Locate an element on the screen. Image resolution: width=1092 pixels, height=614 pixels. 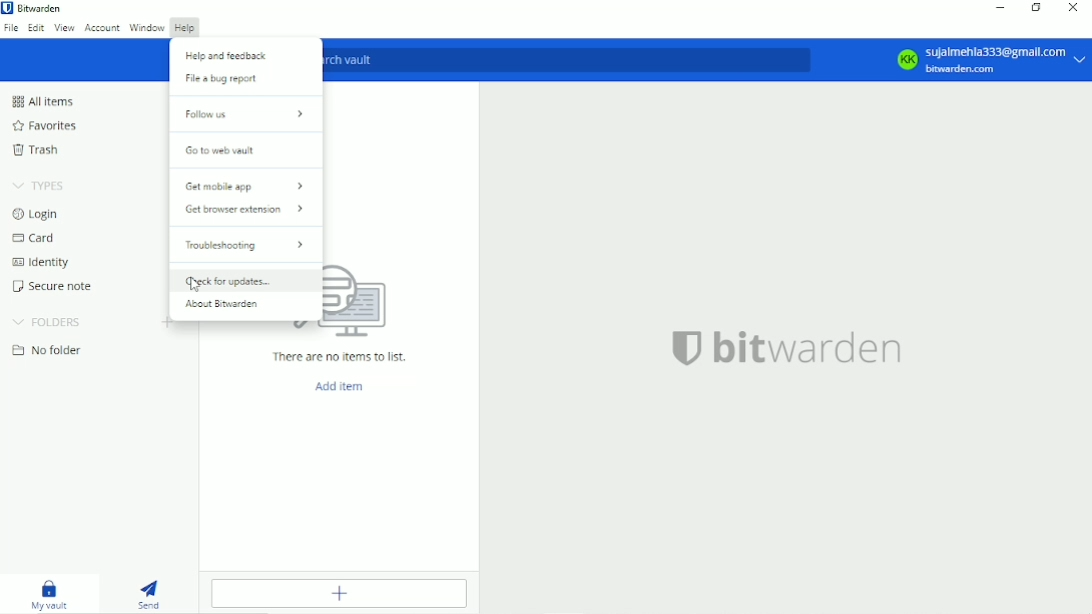
Edit is located at coordinates (36, 29).